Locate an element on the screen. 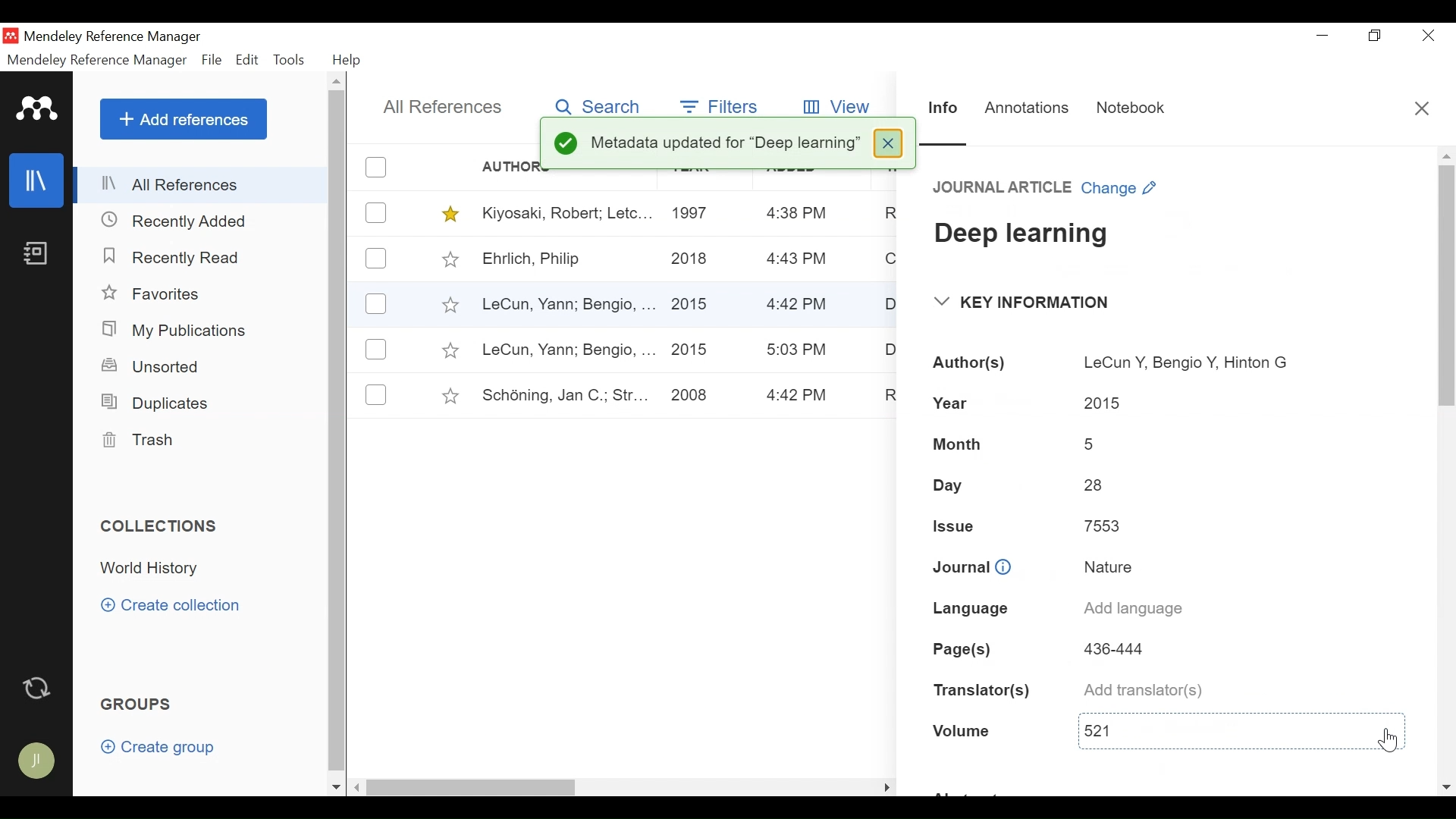  Time is located at coordinates (799, 396).